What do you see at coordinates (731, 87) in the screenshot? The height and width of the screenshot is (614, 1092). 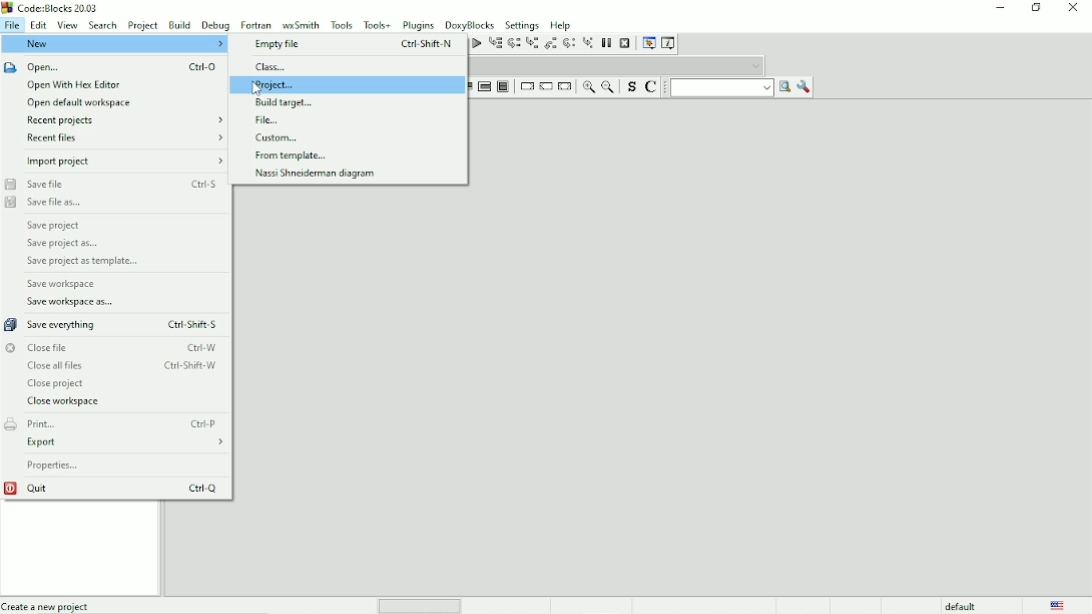 I see `Run search` at bounding box center [731, 87].